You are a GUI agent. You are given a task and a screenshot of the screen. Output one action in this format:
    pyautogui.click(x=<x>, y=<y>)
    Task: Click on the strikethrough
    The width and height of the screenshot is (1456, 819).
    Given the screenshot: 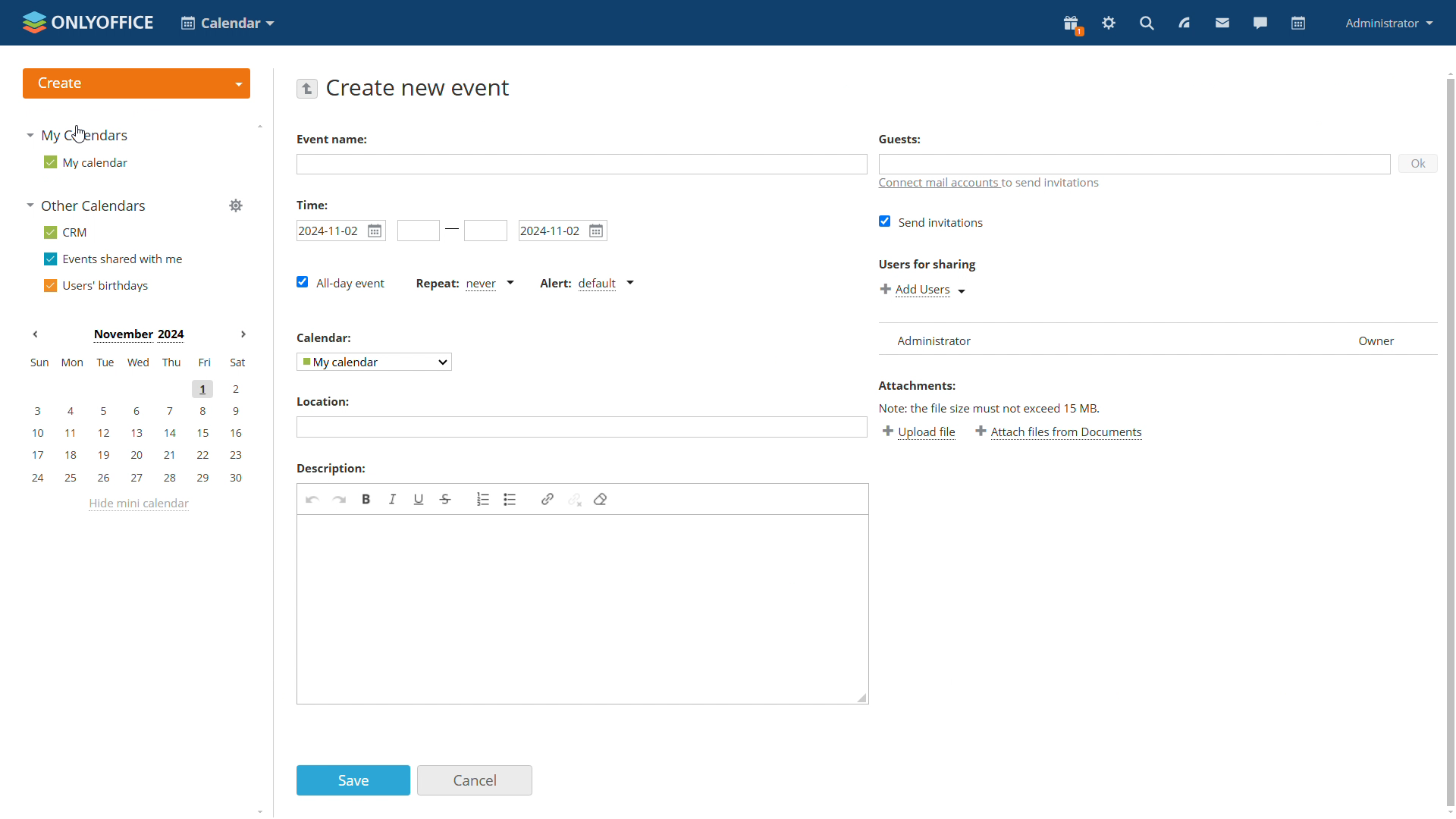 What is the action you would take?
    pyautogui.click(x=446, y=499)
    